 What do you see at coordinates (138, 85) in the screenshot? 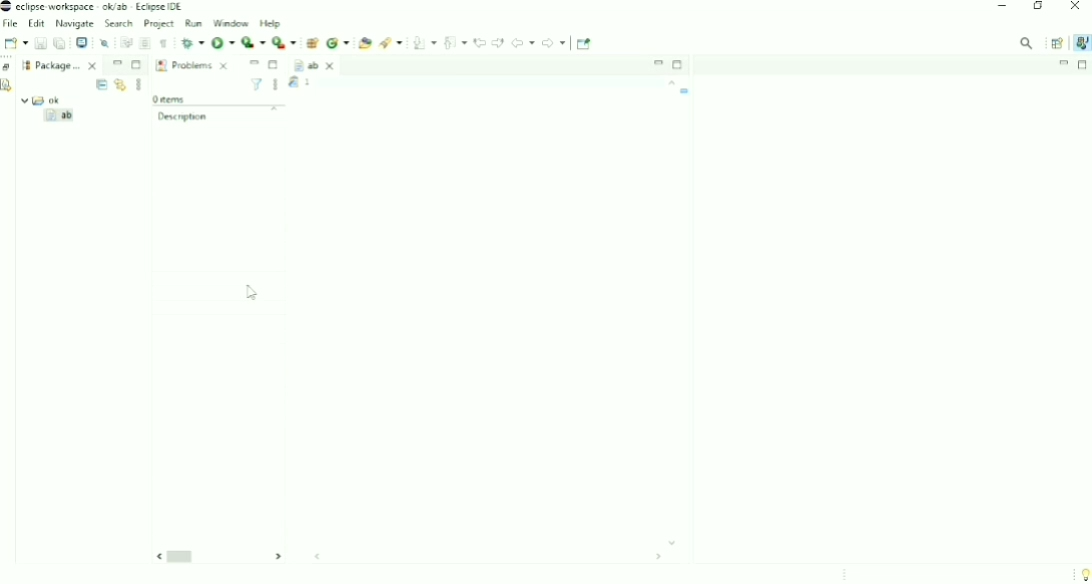
I see `More` at bounding box center [138, 85].